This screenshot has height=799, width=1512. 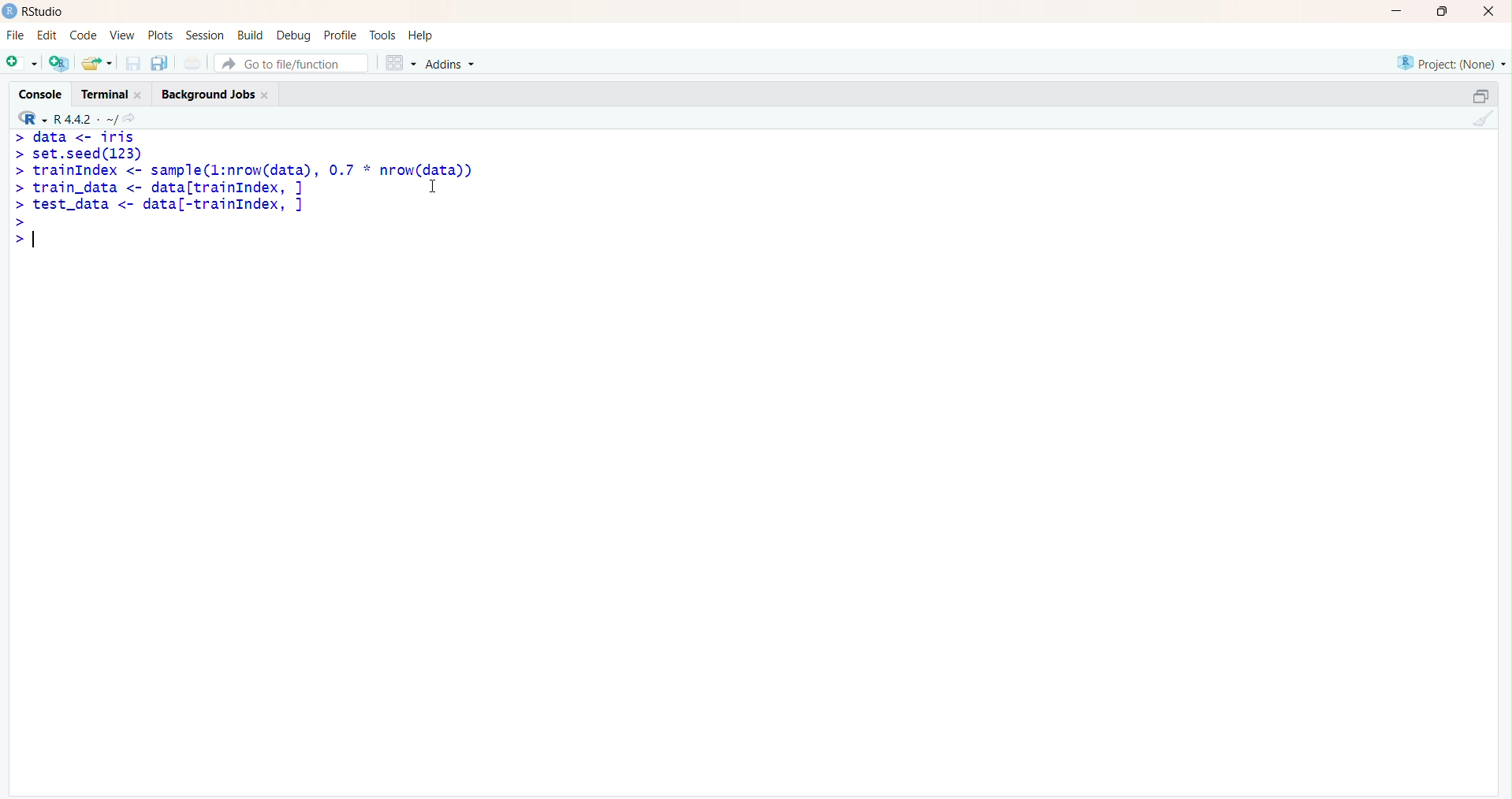 What do you see at coordinates (136, 117) in the screenshot?
I see `View the current working directory` at bounding box center [136, 117].